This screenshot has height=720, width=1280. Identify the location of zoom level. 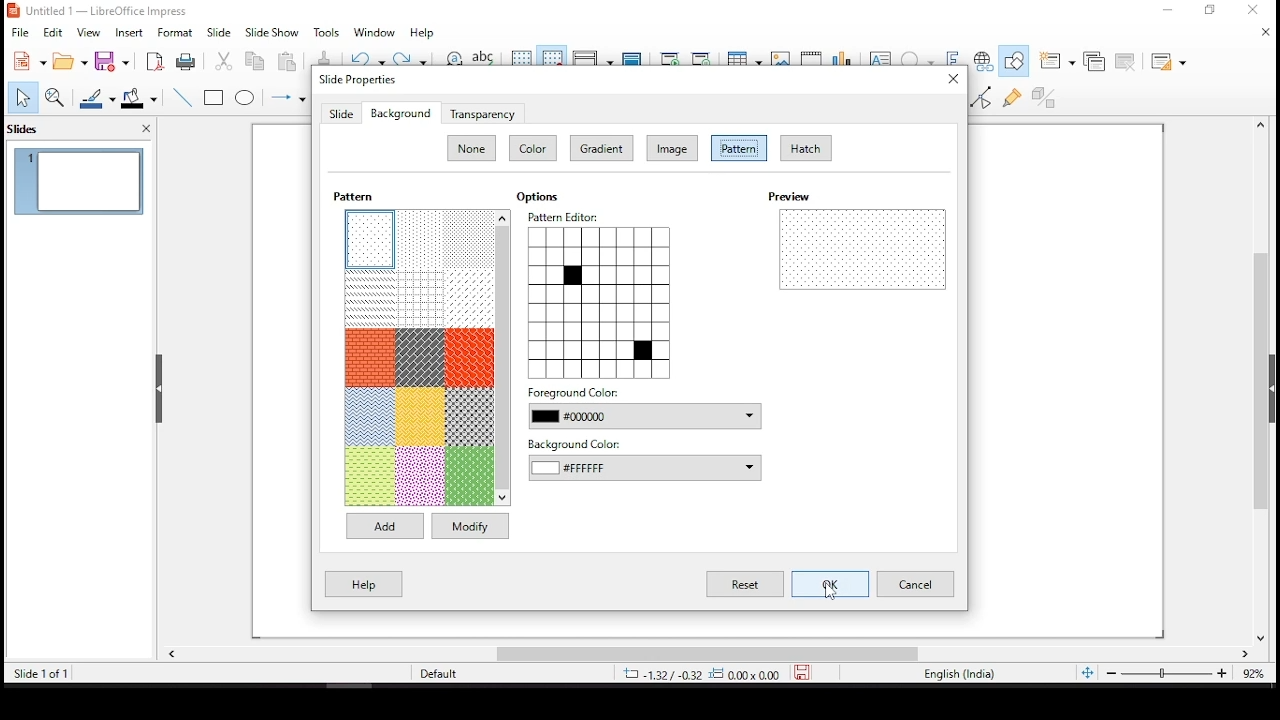
(1247, 671).